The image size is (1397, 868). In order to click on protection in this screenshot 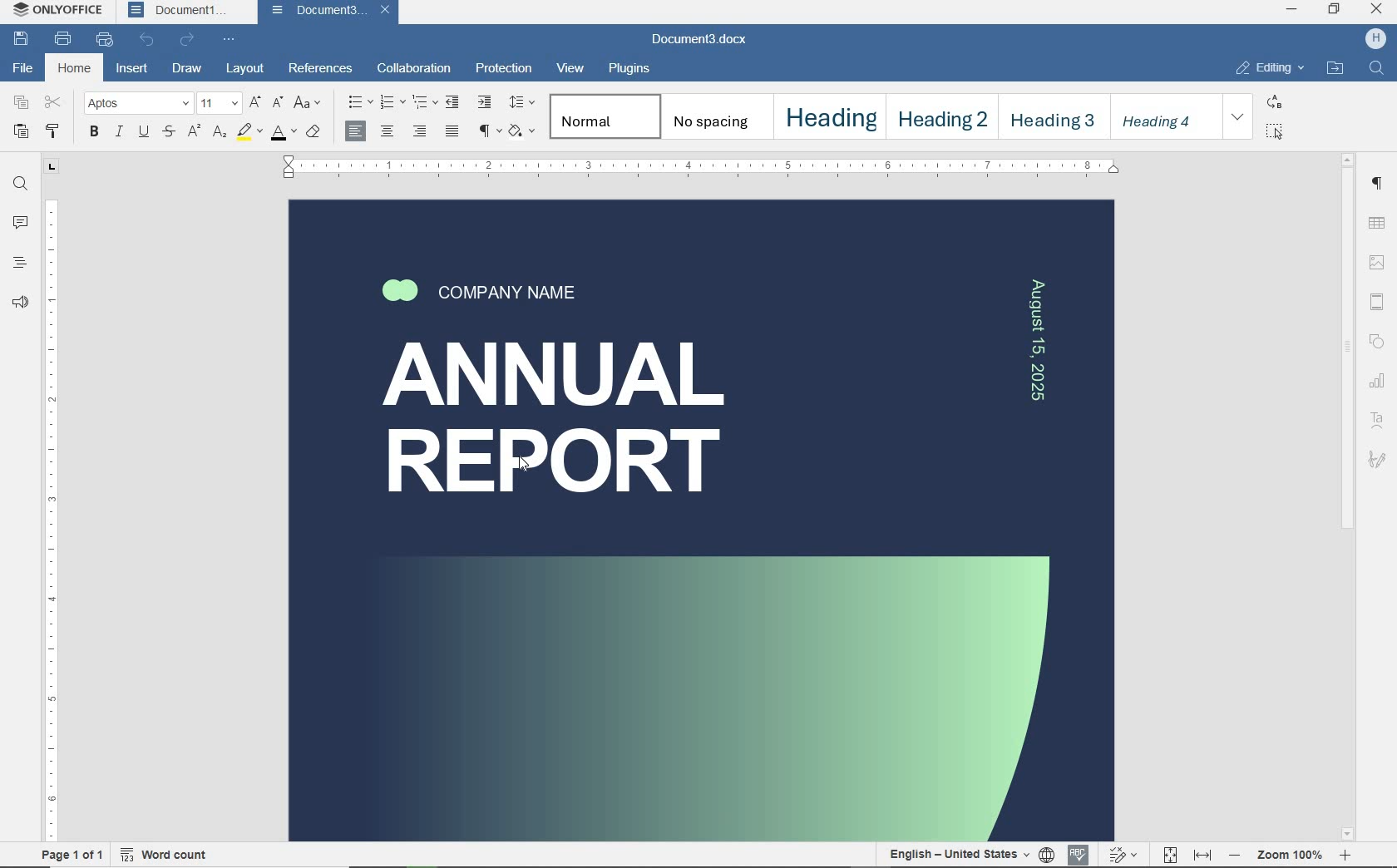, I will do `click(502, 67)`.